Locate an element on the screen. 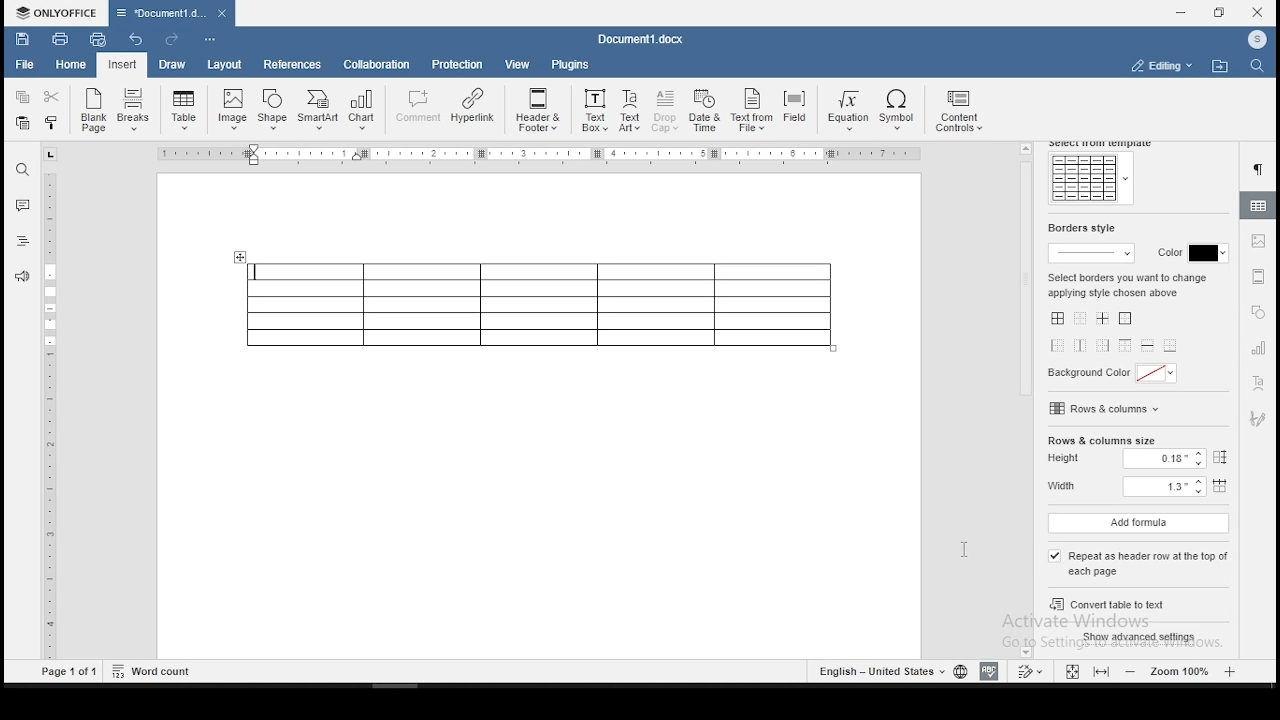  home is located at coordinates (71, 65).